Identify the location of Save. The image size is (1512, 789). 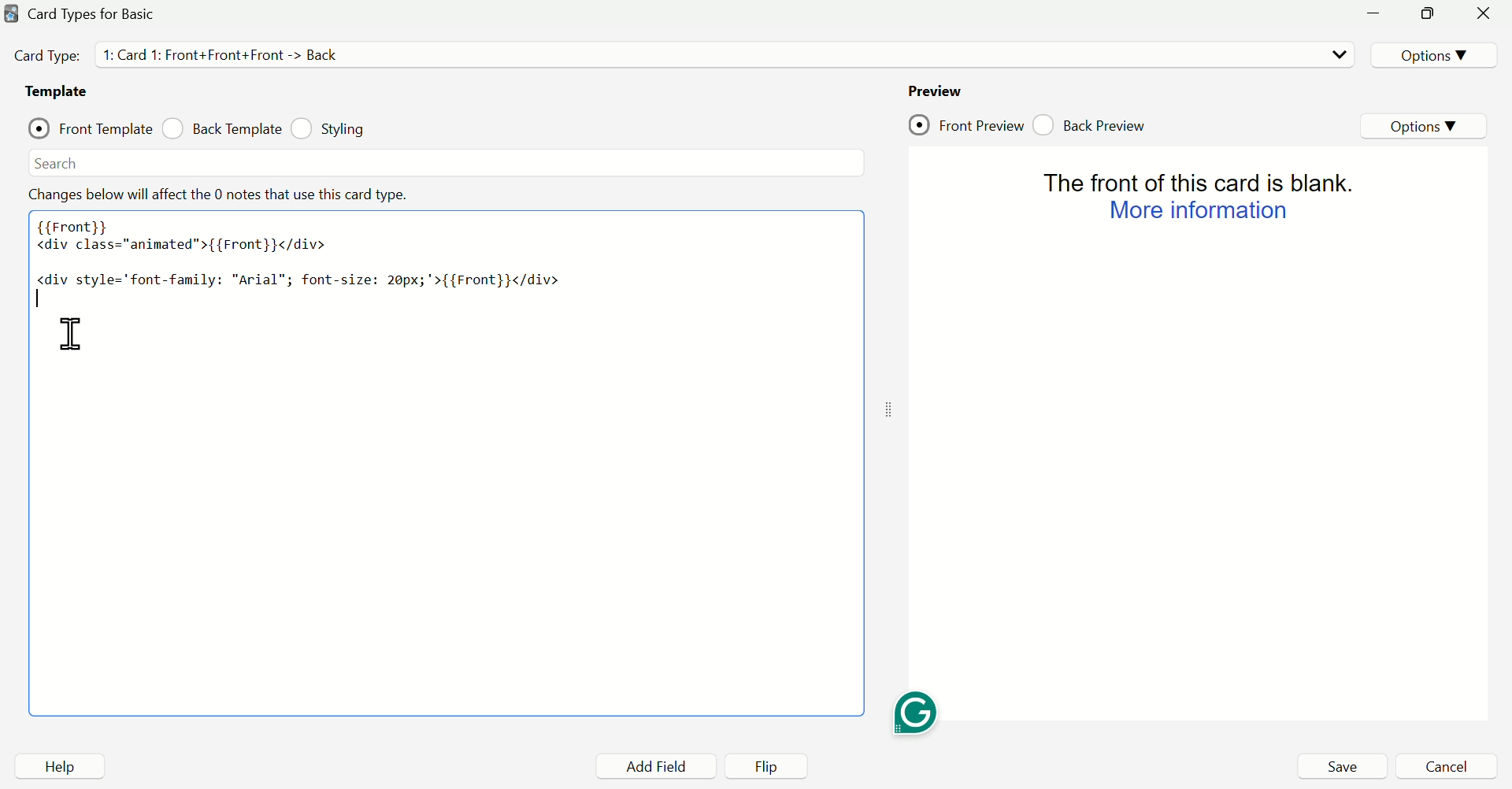
(1341, 767).